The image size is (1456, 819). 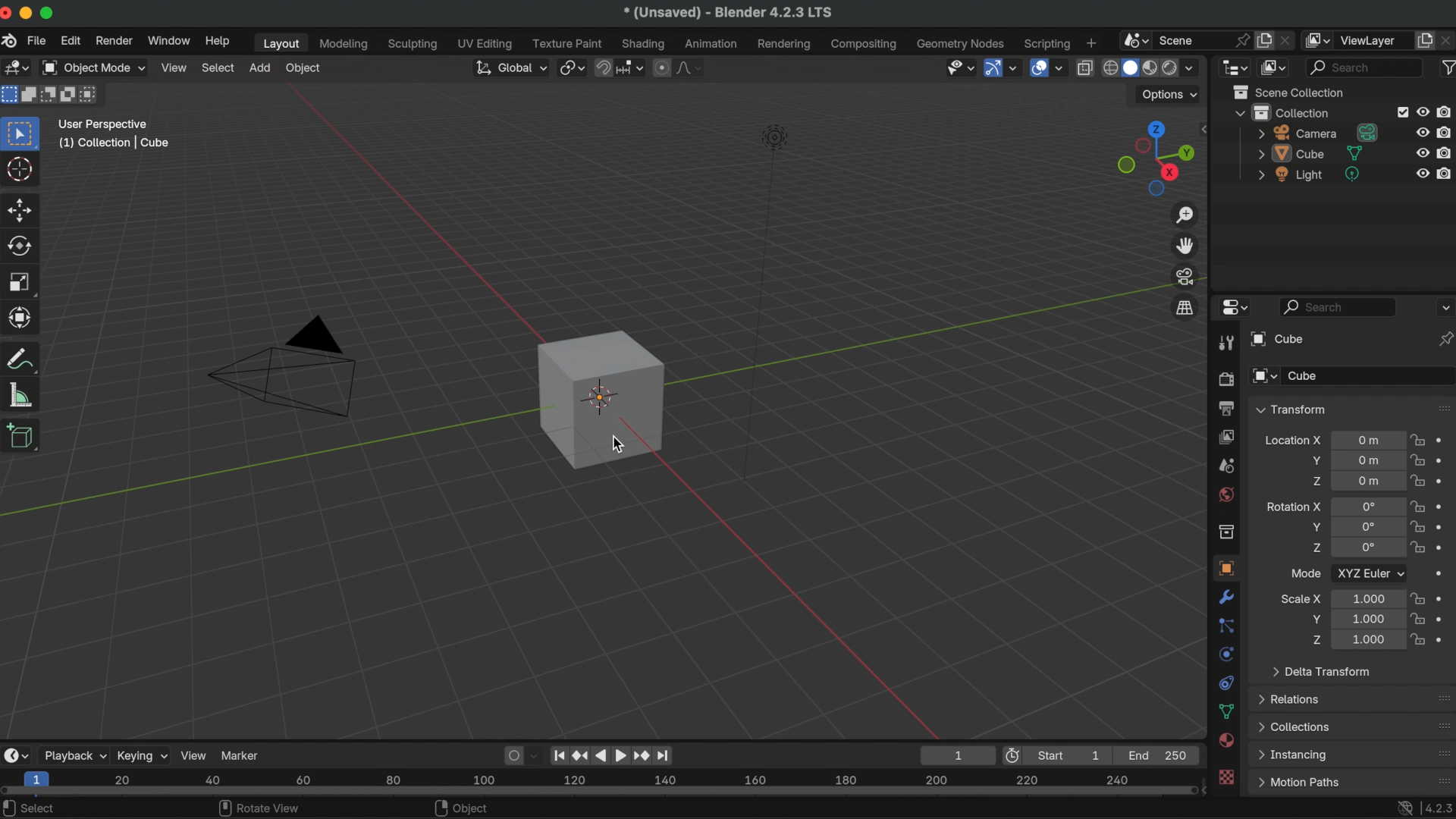 What do you see at coordinates (1265, 377) in the screenshot?
I see `browse object to be linked` at bounding box center [1265, 377].